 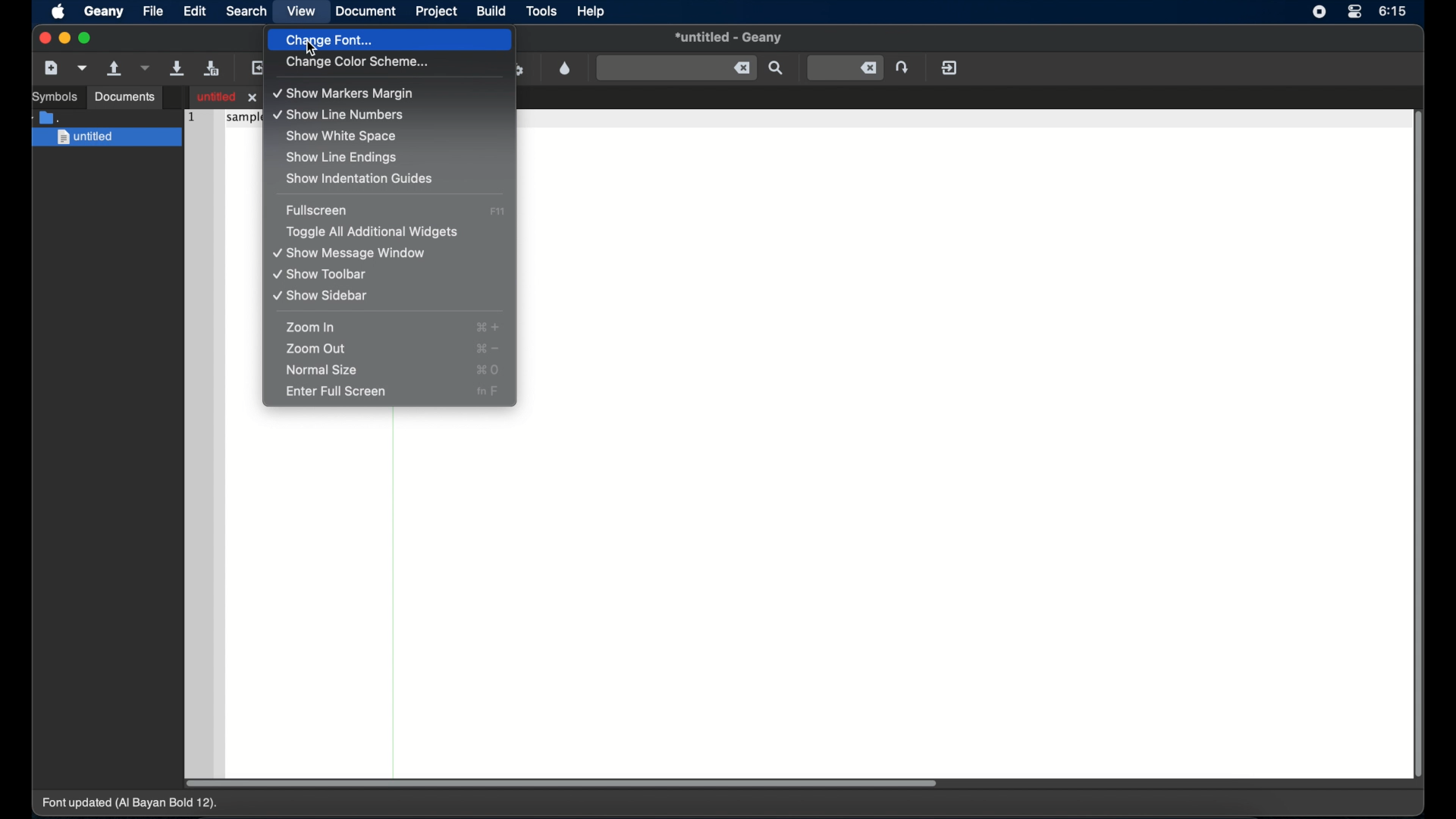 What do you see at coordinates (314, 50) in the screenshot?
I see `cursor` at bounding box center [314, 50].